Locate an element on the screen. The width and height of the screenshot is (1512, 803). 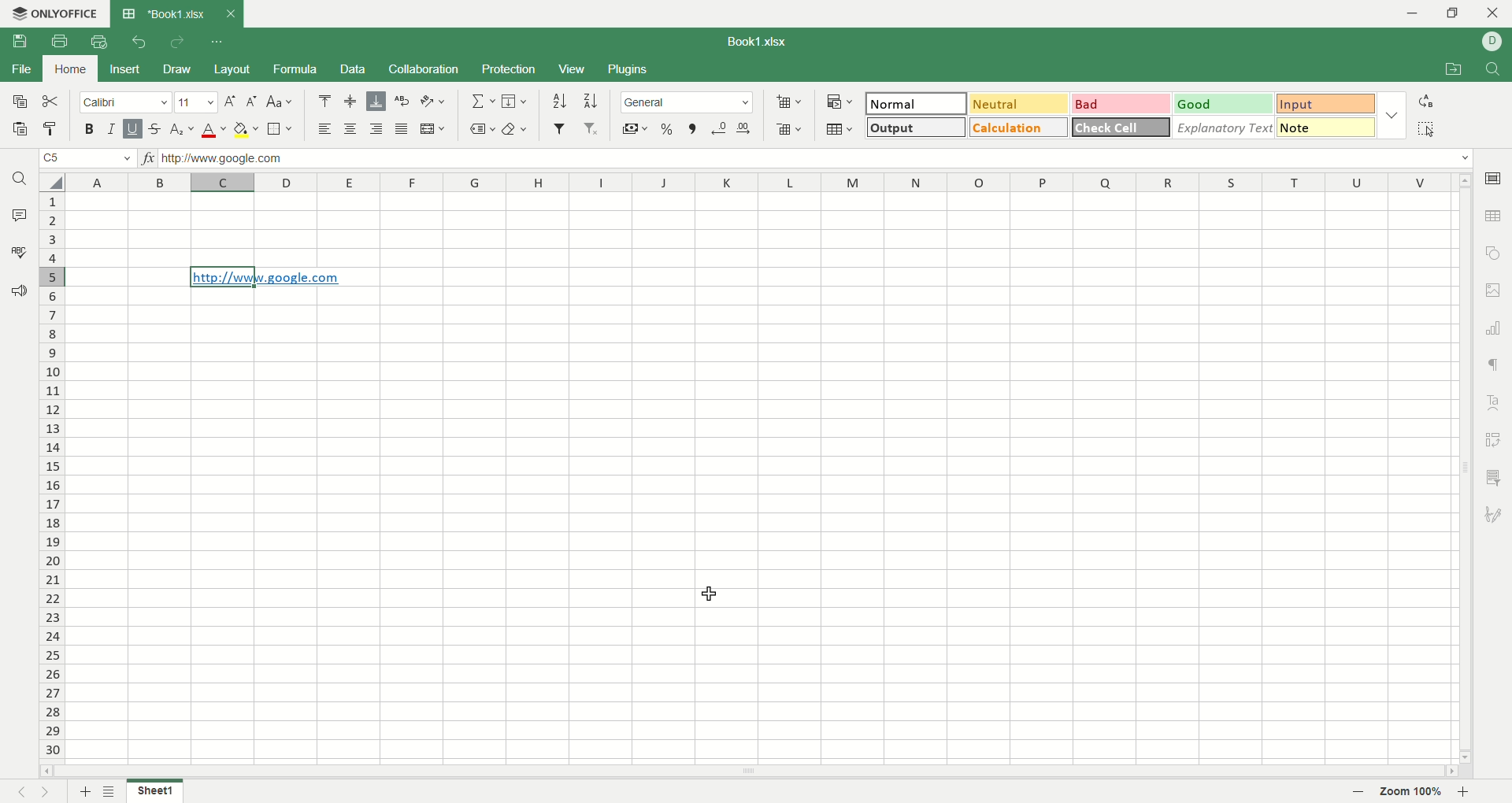
wrap text is located at coordinates (403, 101).